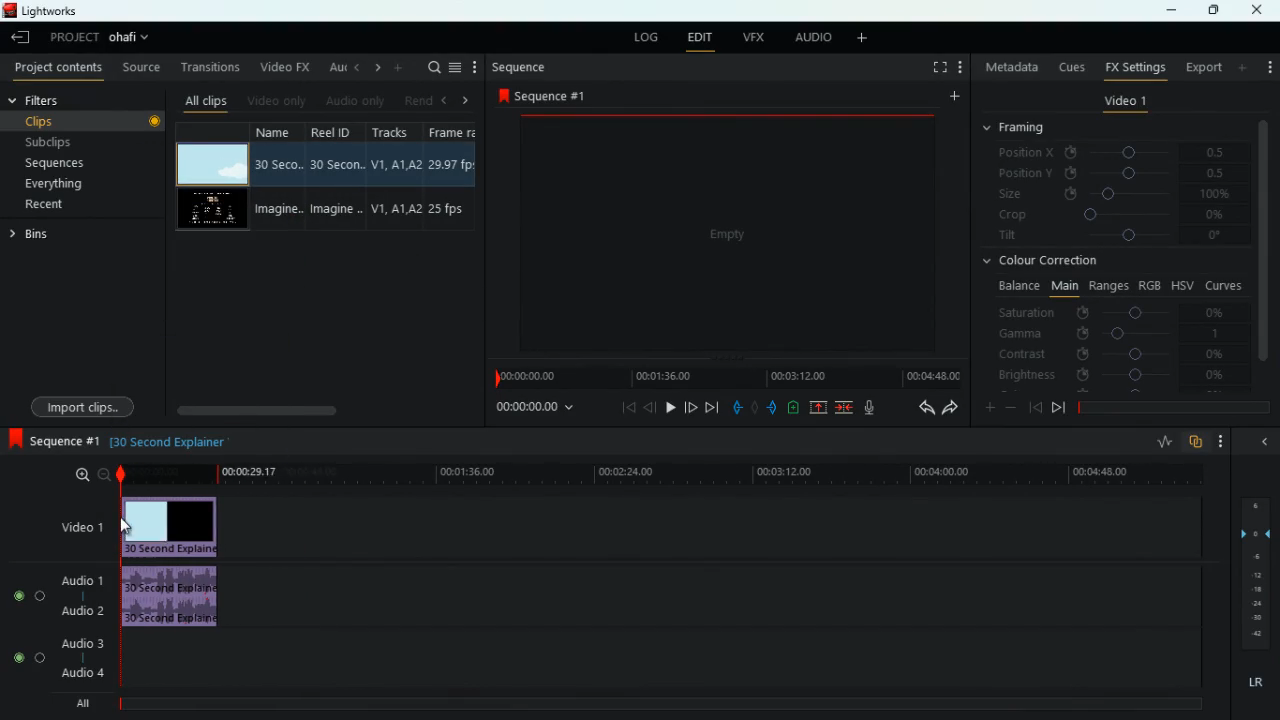 This screenshot has width=1280, height=720. I want to click on reel id, so click(337, 131).